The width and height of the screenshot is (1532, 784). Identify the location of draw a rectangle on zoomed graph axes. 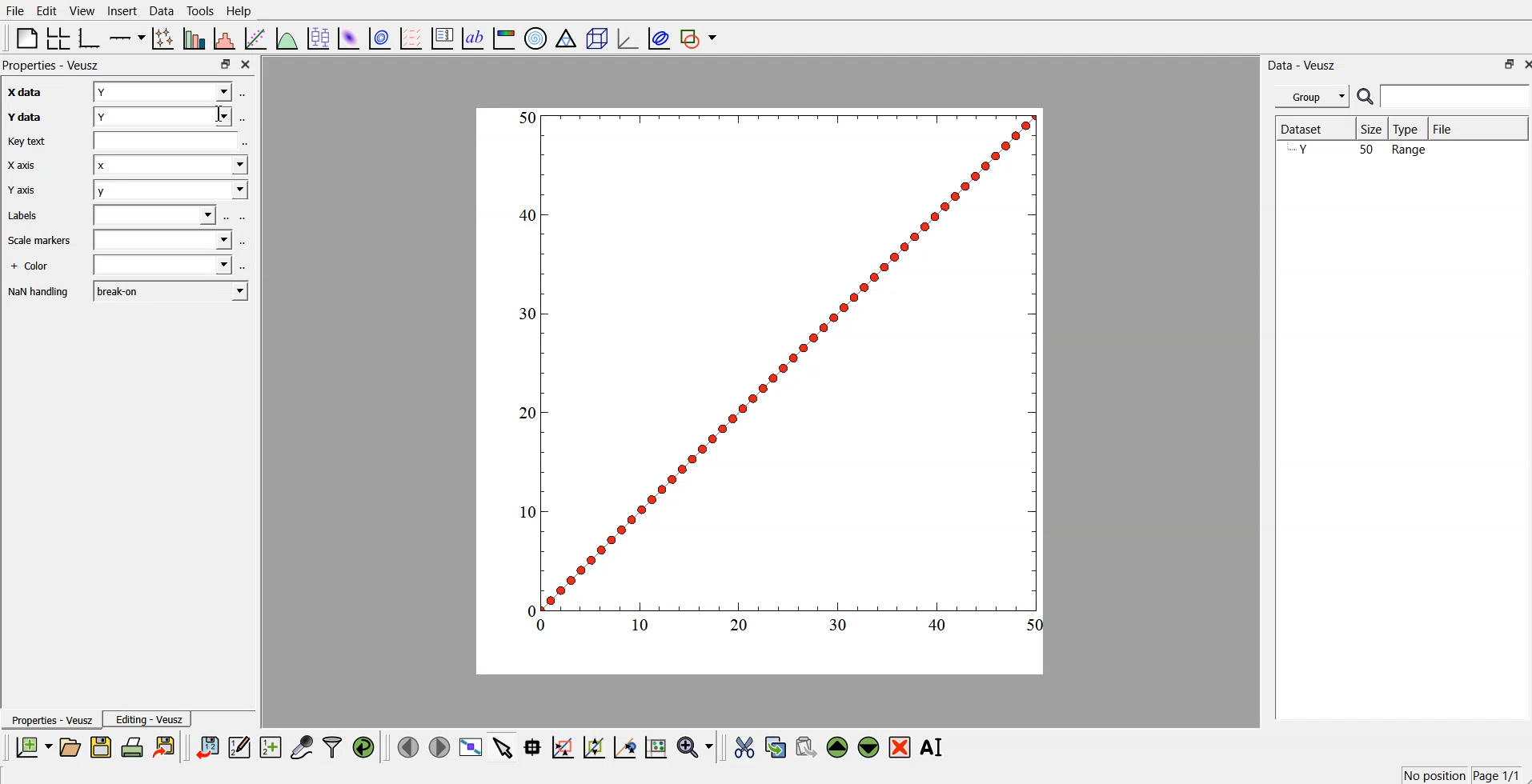
(563, 749).